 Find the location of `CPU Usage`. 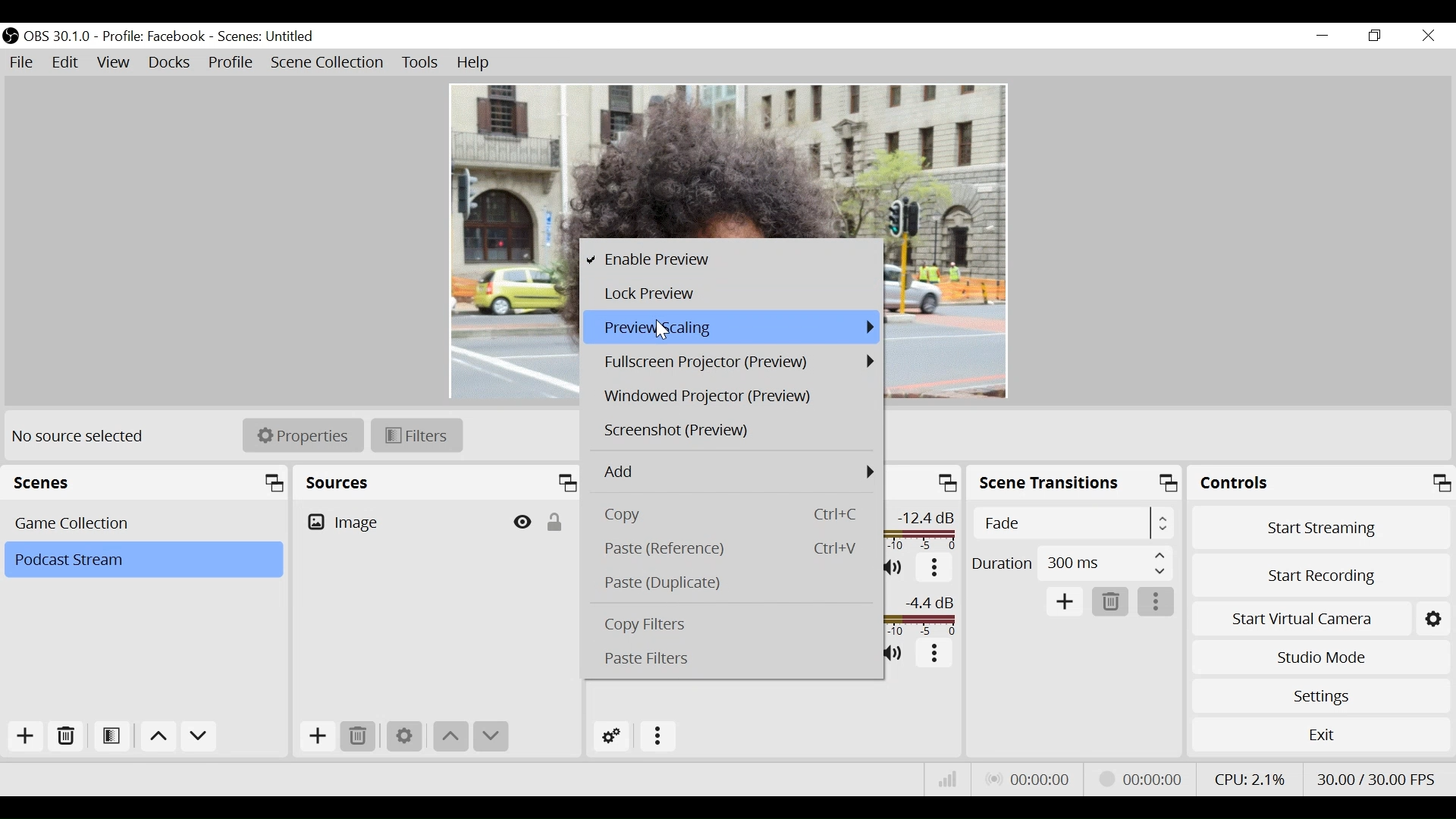

CPU Usage is located at coordinates (1250, 778).